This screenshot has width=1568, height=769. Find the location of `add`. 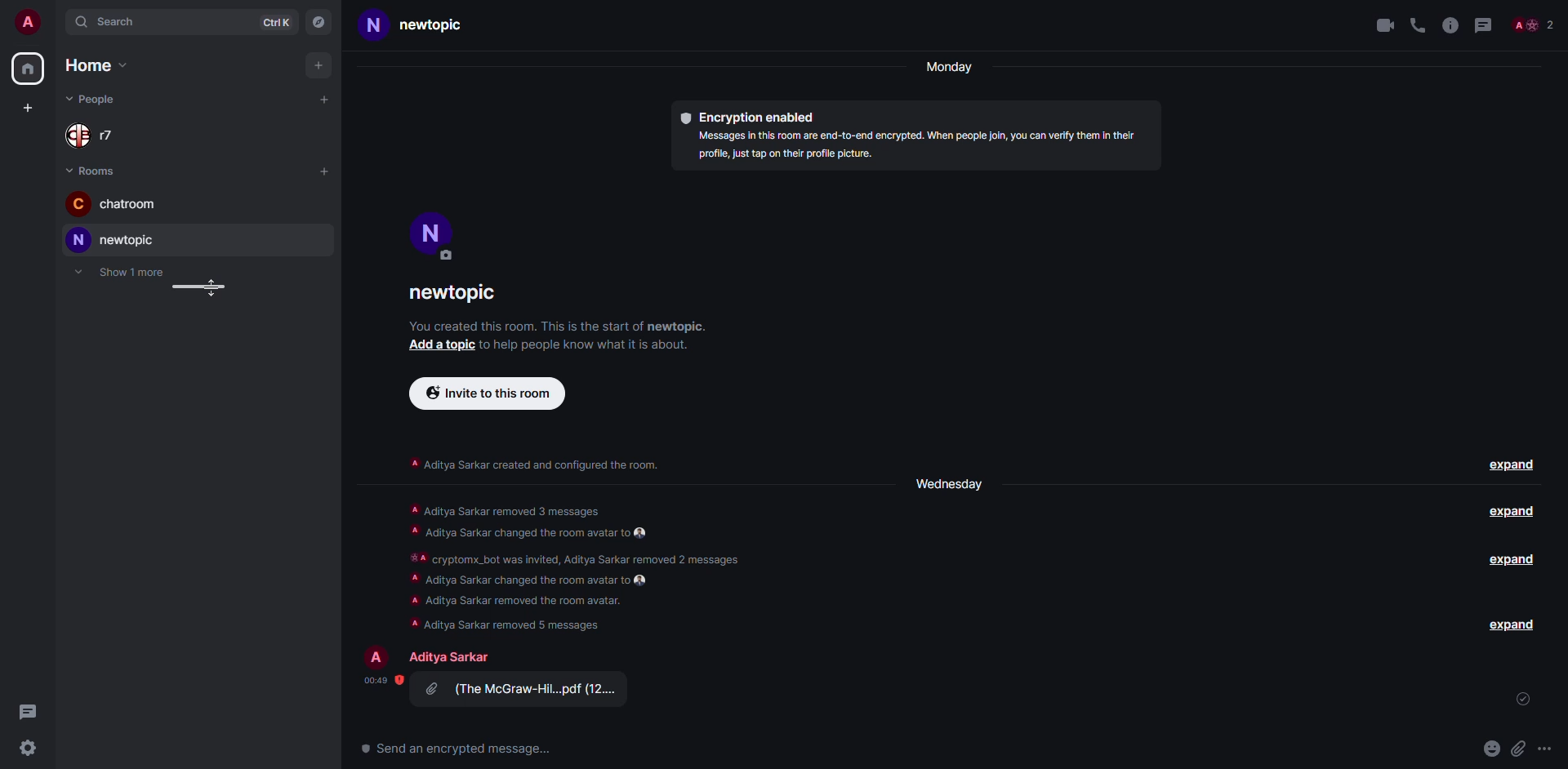

add is located at coordinates (28, 107).